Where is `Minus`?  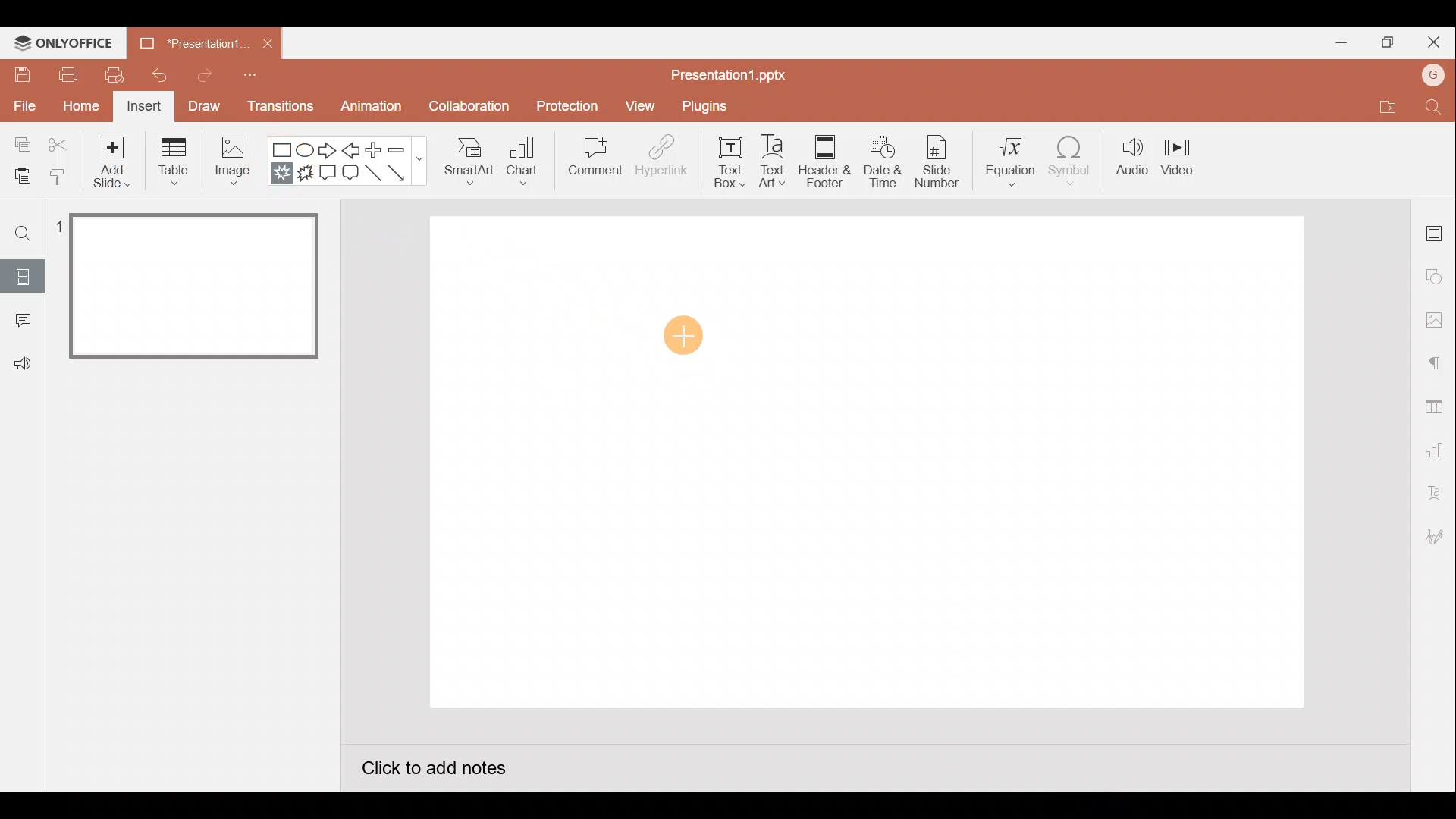 Minus is located at coordinates (400, 148).